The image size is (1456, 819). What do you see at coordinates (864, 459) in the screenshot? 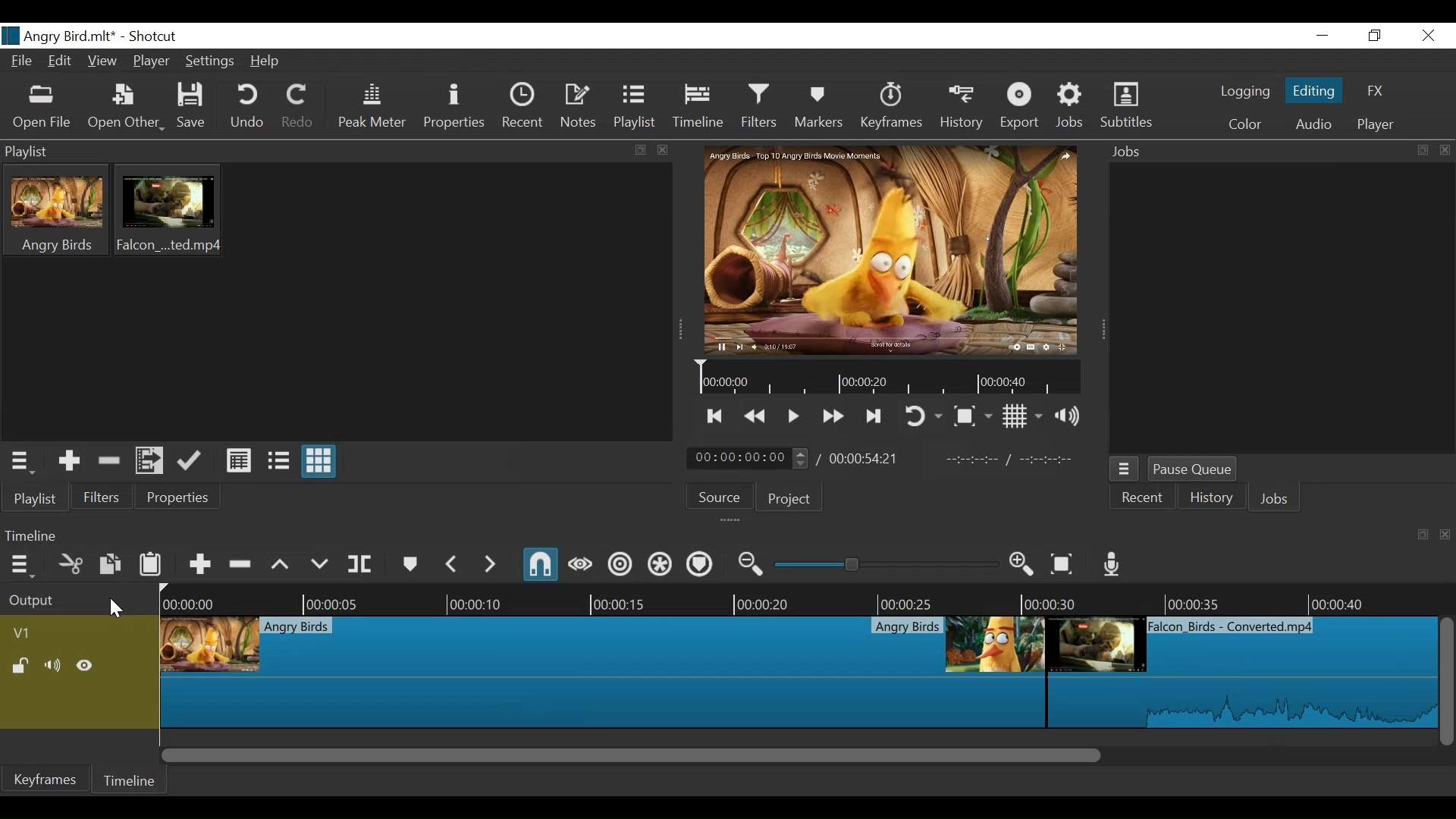
I see `Total Duration` at bounding box center [864, 459].